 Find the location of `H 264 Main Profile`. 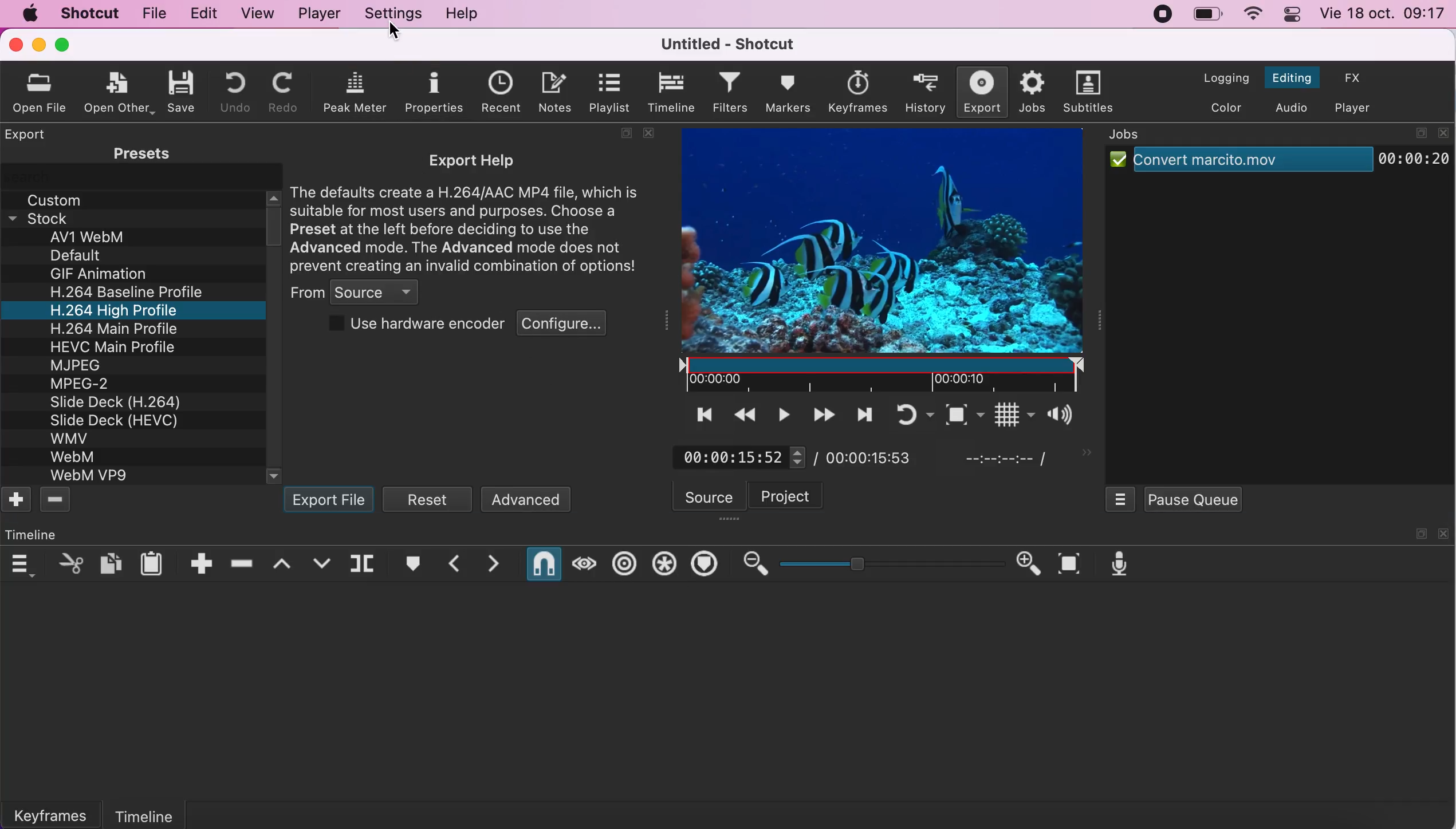

H 264 Main Profile is located at coordinates (110, 327).